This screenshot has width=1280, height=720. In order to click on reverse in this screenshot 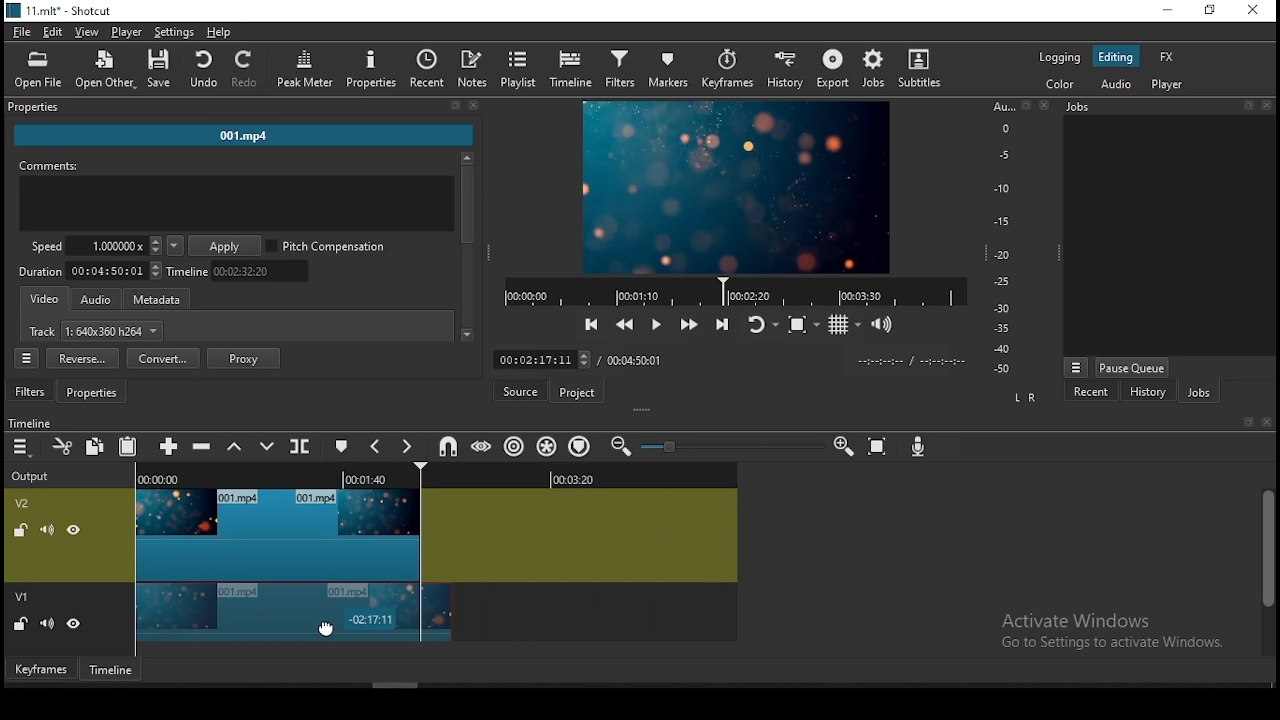, I will do `click(82, 359)`.